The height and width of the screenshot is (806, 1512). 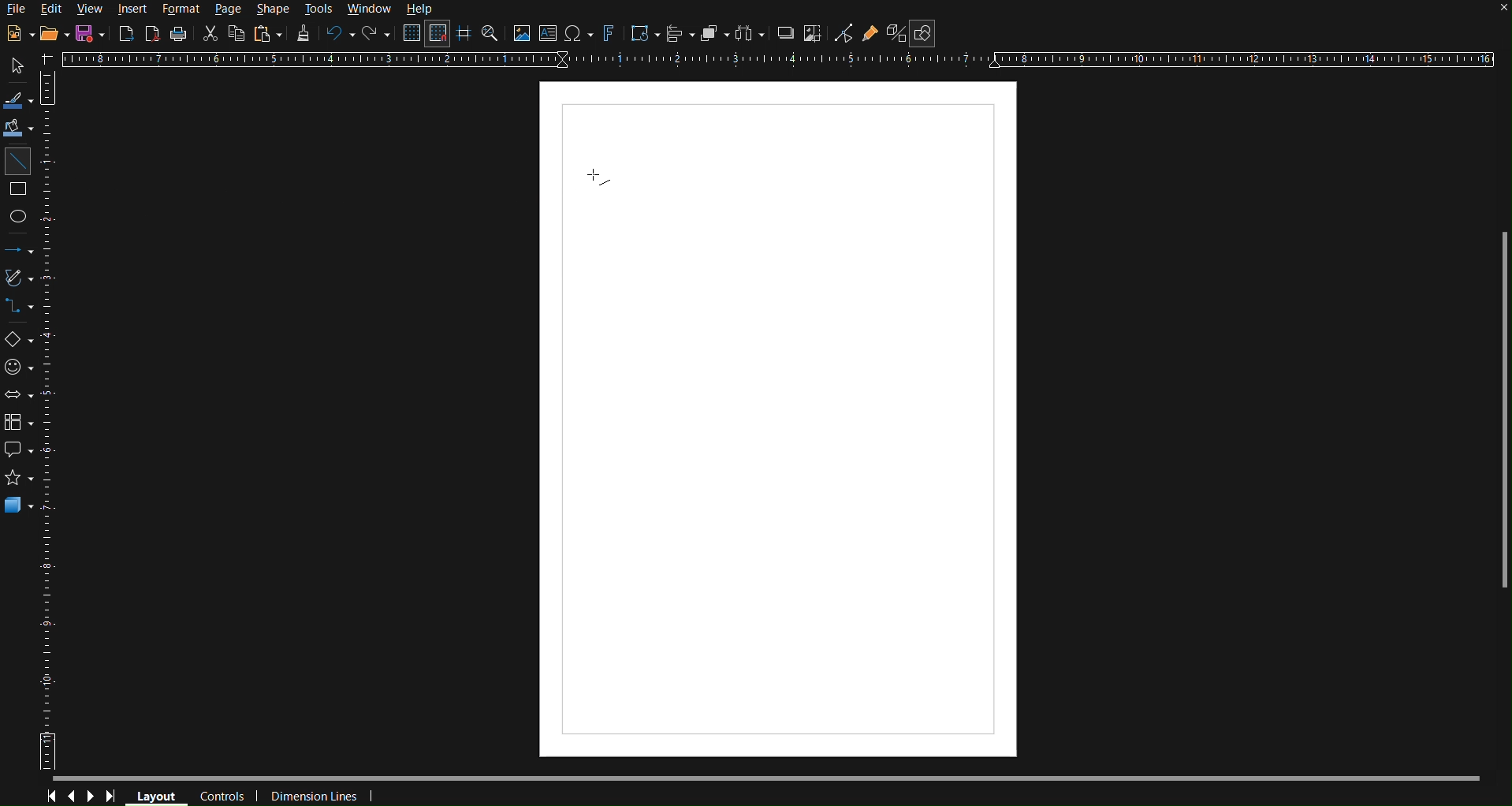 What do you see at coordinates (126, 33) in the screenshot?
I see `Export` at bounding box center [126, 33].